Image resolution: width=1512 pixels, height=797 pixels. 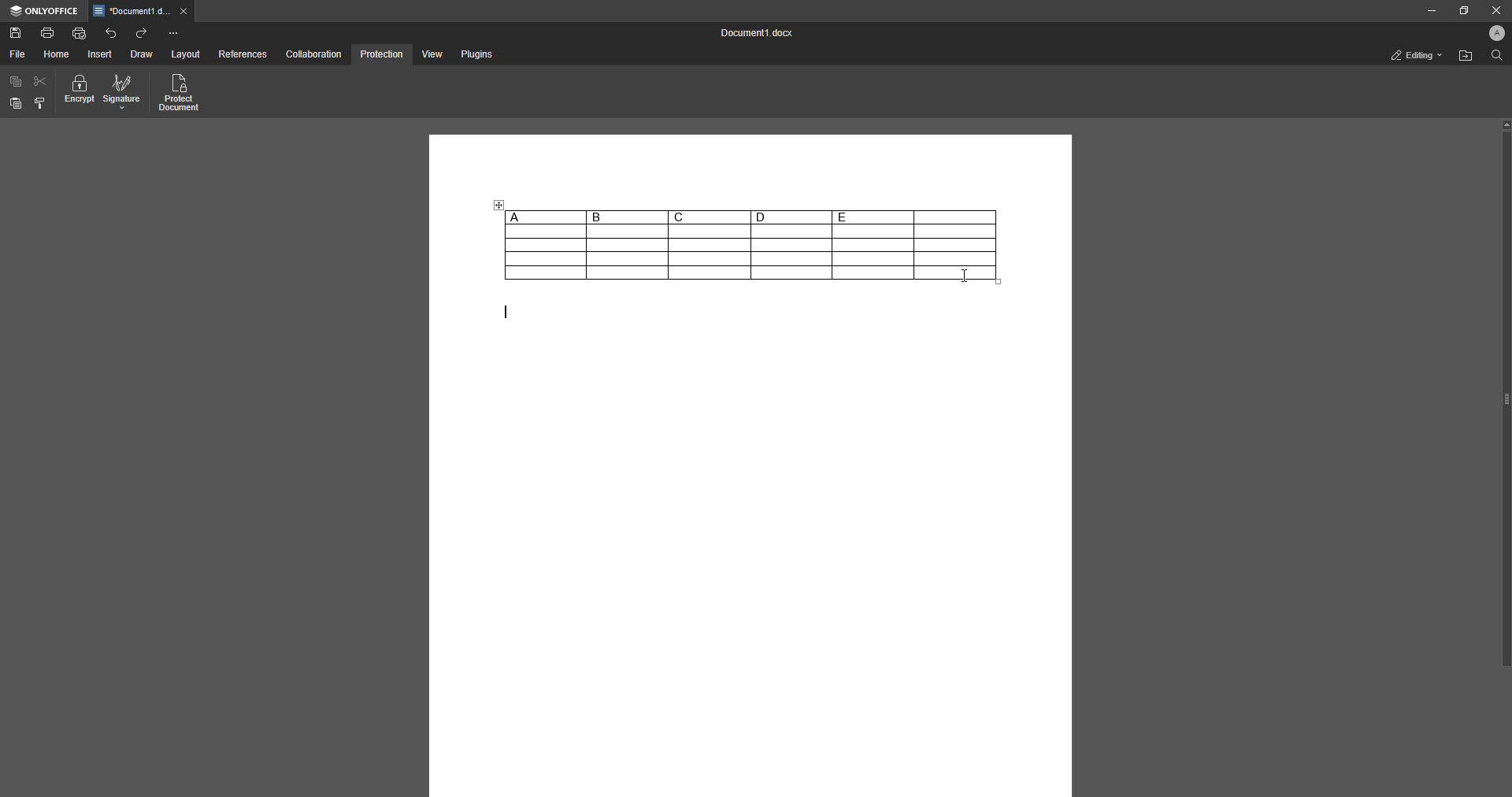 What do you see at coordinates (17, 54) in the screenshot?
I see `File` at bounding box center [17, 54].